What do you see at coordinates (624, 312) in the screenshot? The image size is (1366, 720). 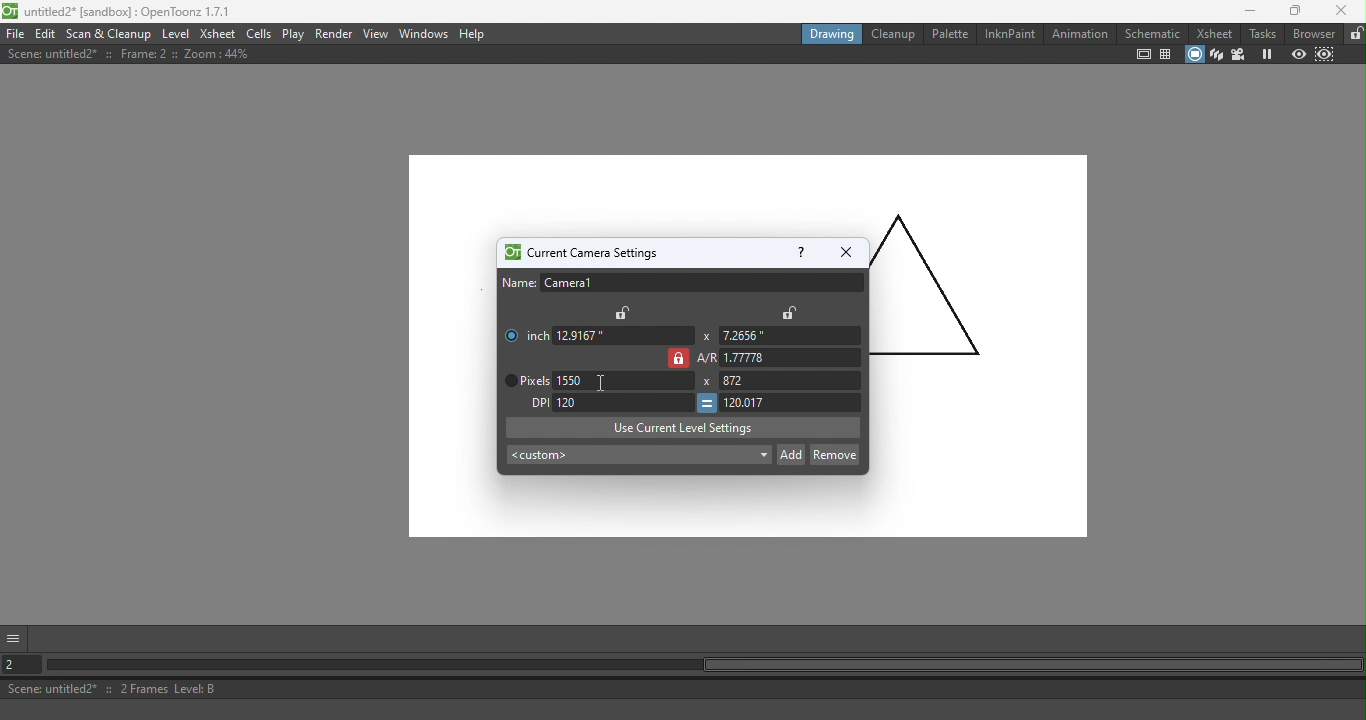 I see `Lock` at bounding box center [624, 312].